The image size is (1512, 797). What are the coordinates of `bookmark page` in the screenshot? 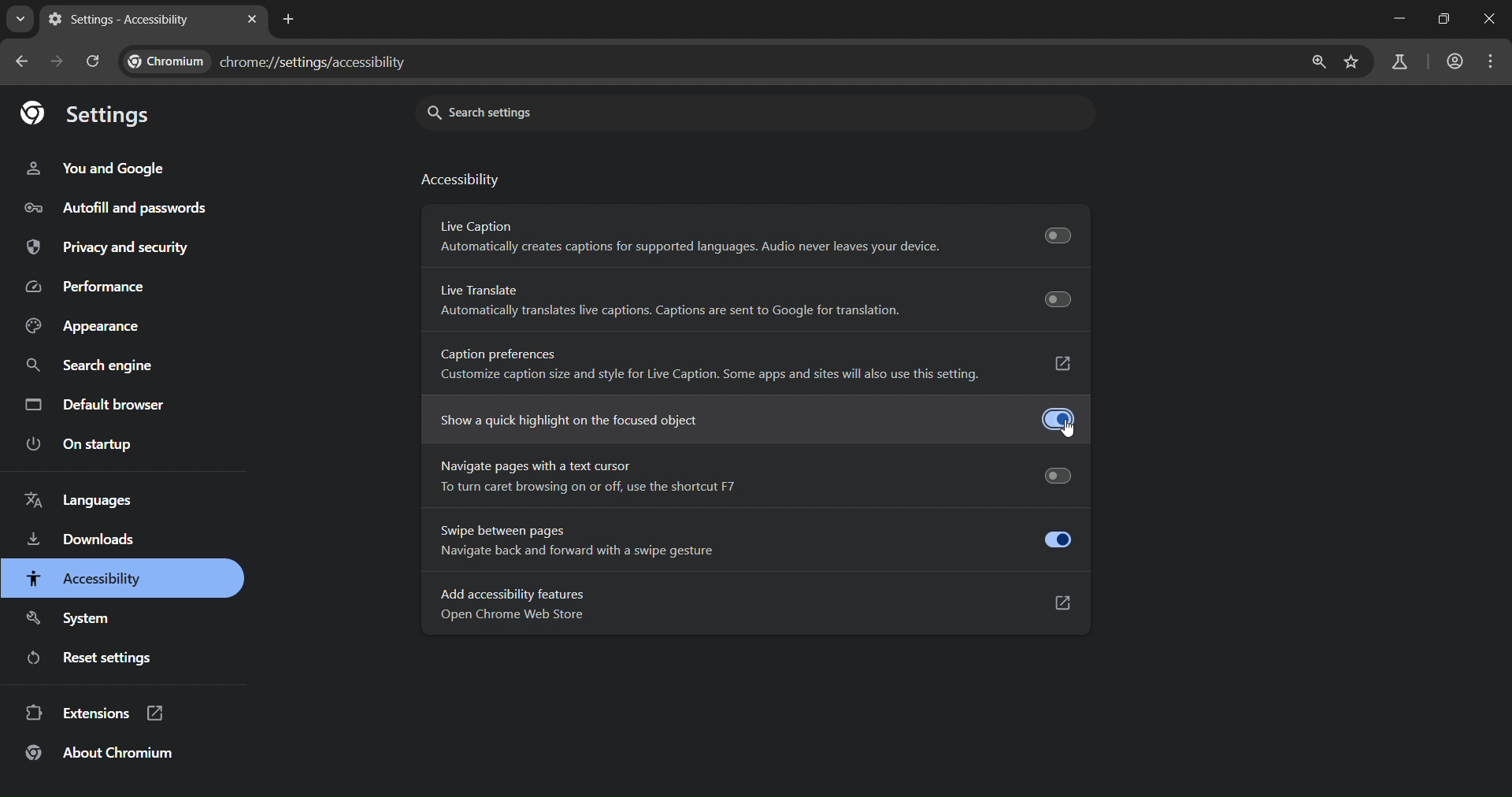 It's located at (1352, 61).